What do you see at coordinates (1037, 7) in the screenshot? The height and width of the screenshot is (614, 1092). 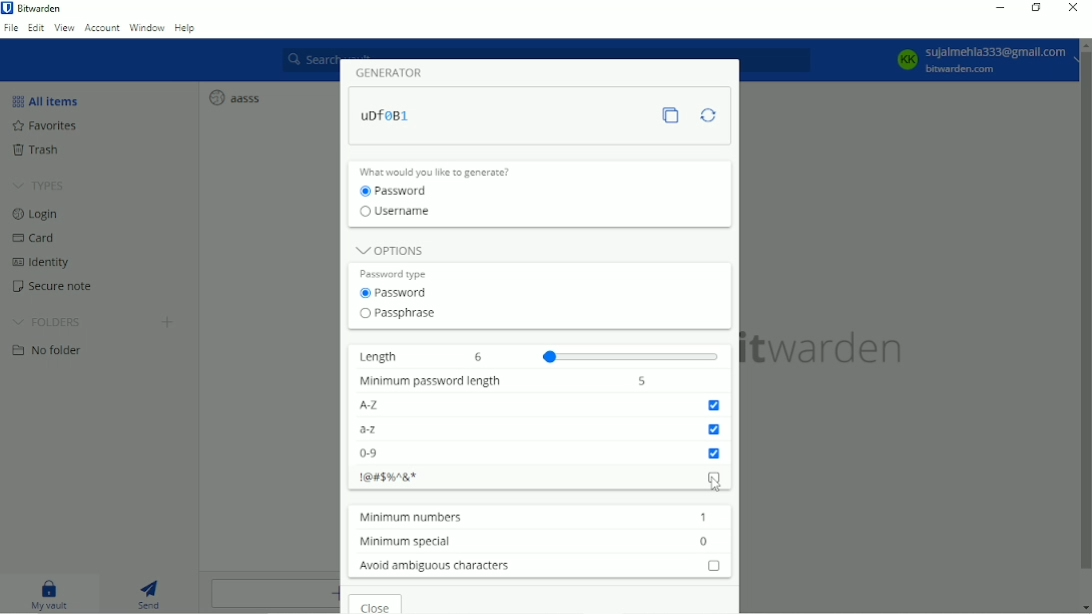 I see `Restore down` at bounding box center [1037, 7].